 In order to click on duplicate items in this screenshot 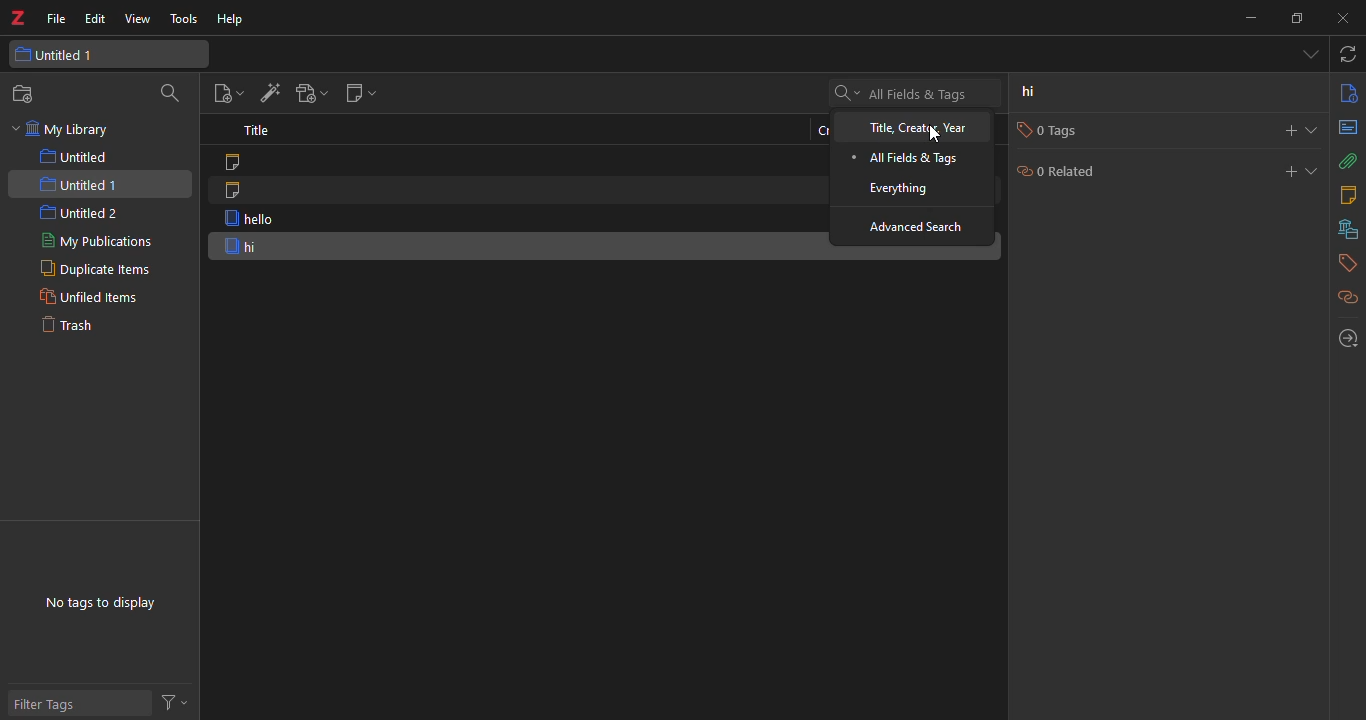, I will do `click(97, 269)`.